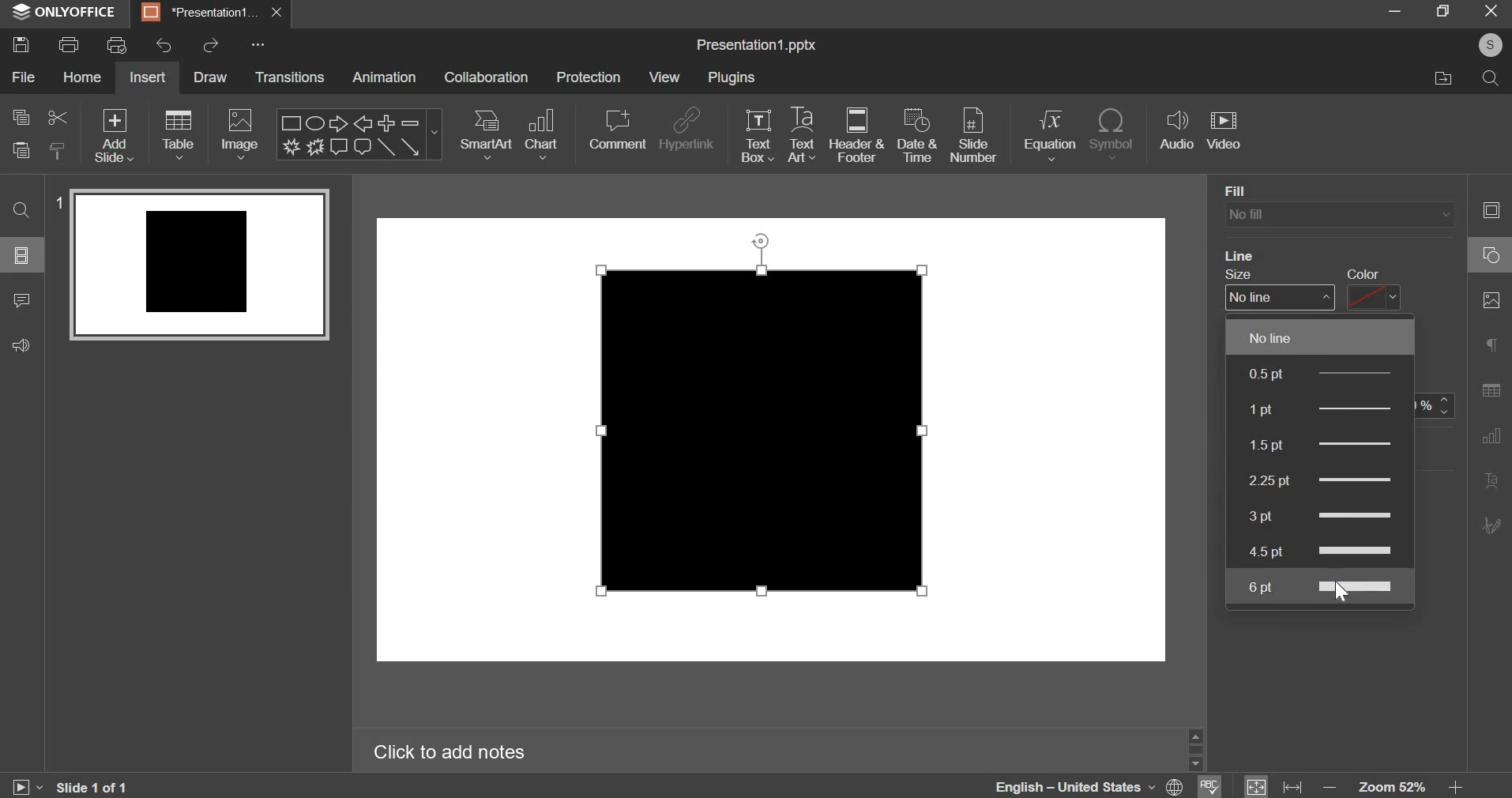 The height and width of the screenshot is (798, 1512). Describe the element at coordinates (340, 148) in the screenshot. I see `Comment` at that location.